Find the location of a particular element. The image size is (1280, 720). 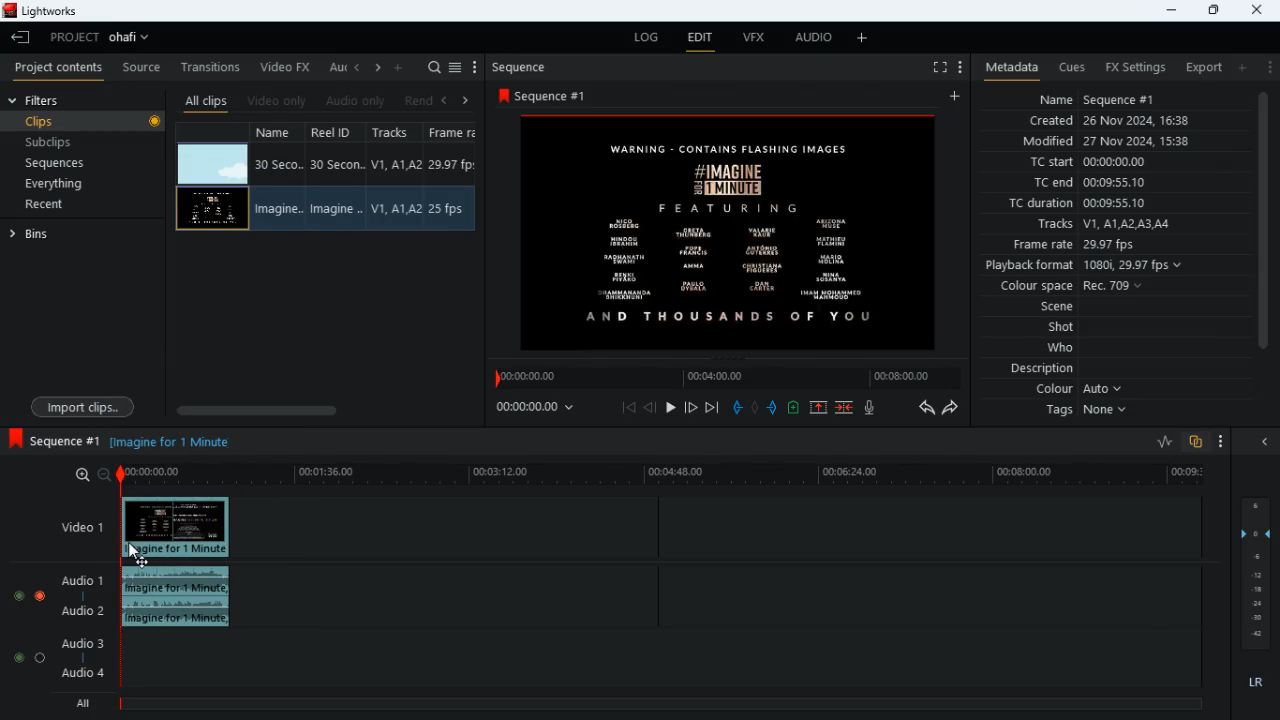

more is located at coordinates (960, 65).